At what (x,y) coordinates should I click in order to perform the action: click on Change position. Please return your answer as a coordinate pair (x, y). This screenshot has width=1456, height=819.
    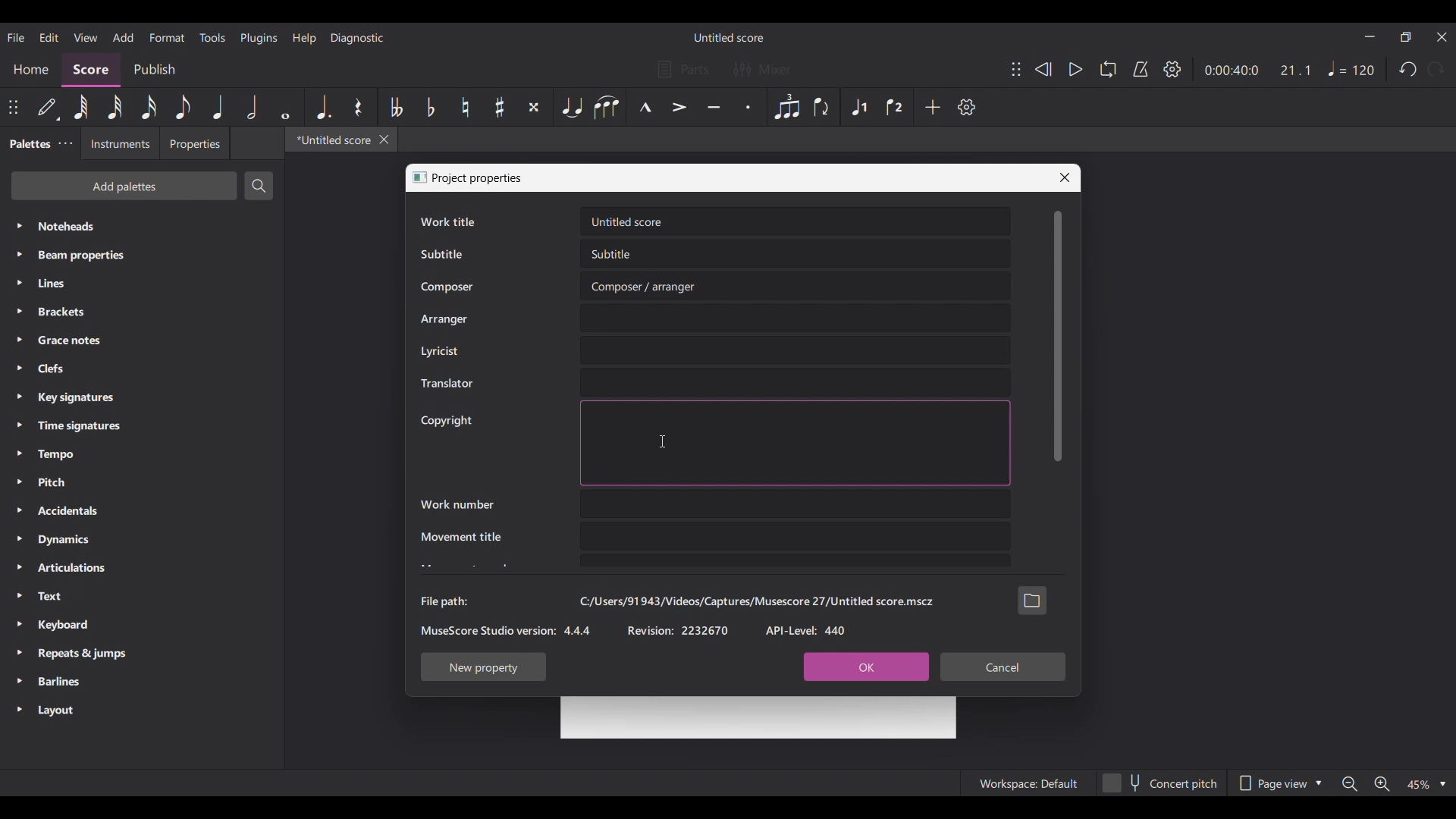
    Looking at the image, I should click on (13, 107).